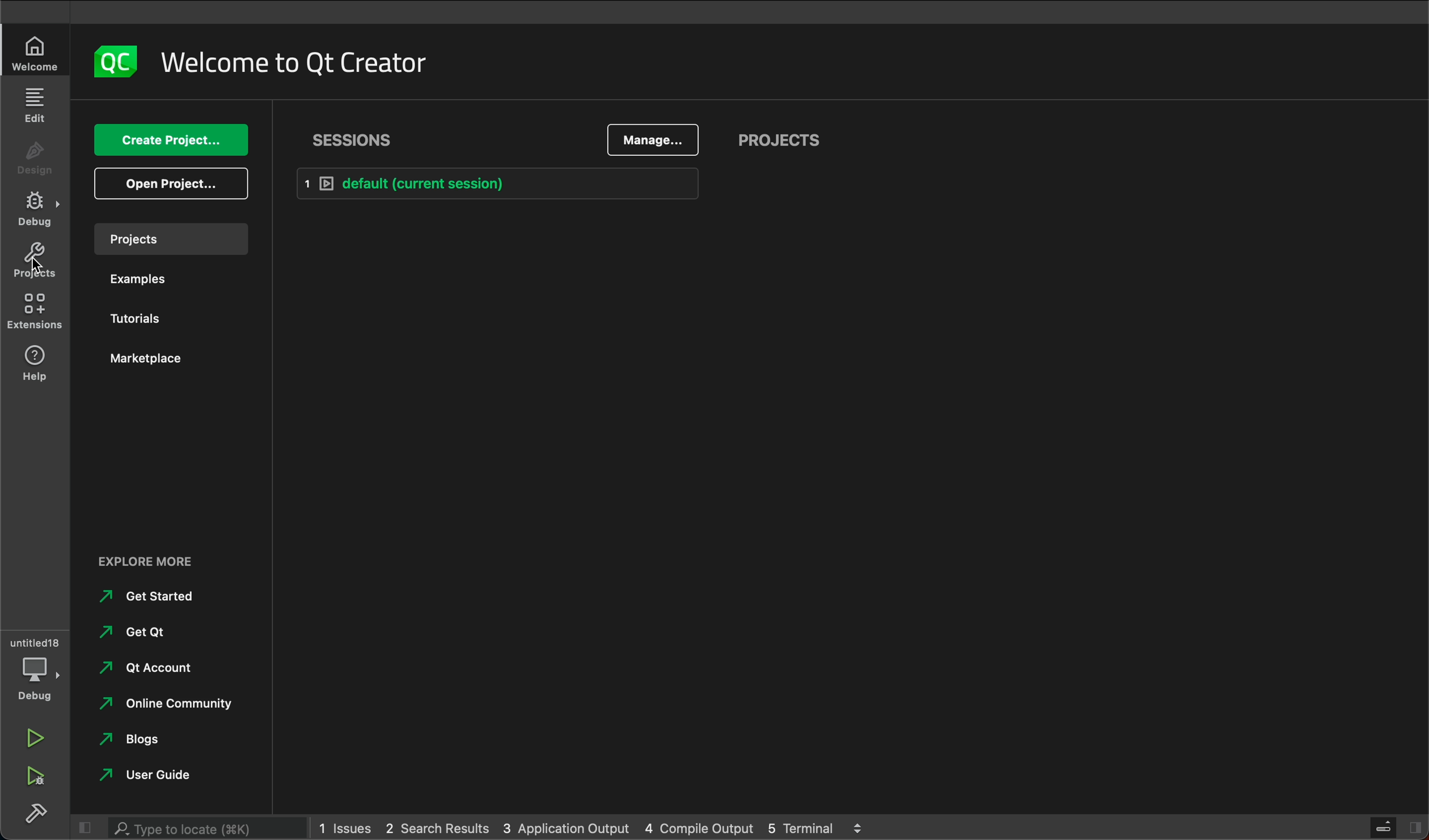 This screenshot has height=840, width=1429. Describe the element at coordinates (141, 320) in the screenshot. I see `tutorials` at that location.